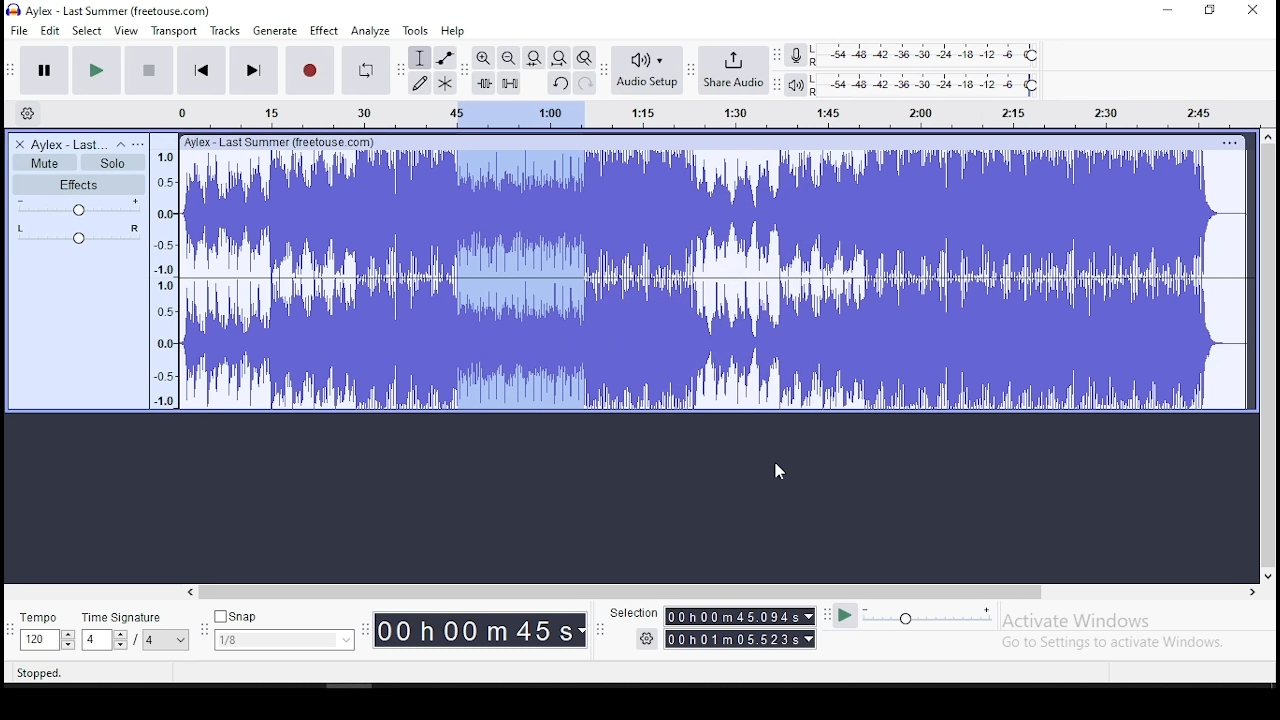 The width and height of the screenshot is (1280, 720). Describe the element at coordinates (254, 71) in the screenshot. I see `skip to end` at that location.